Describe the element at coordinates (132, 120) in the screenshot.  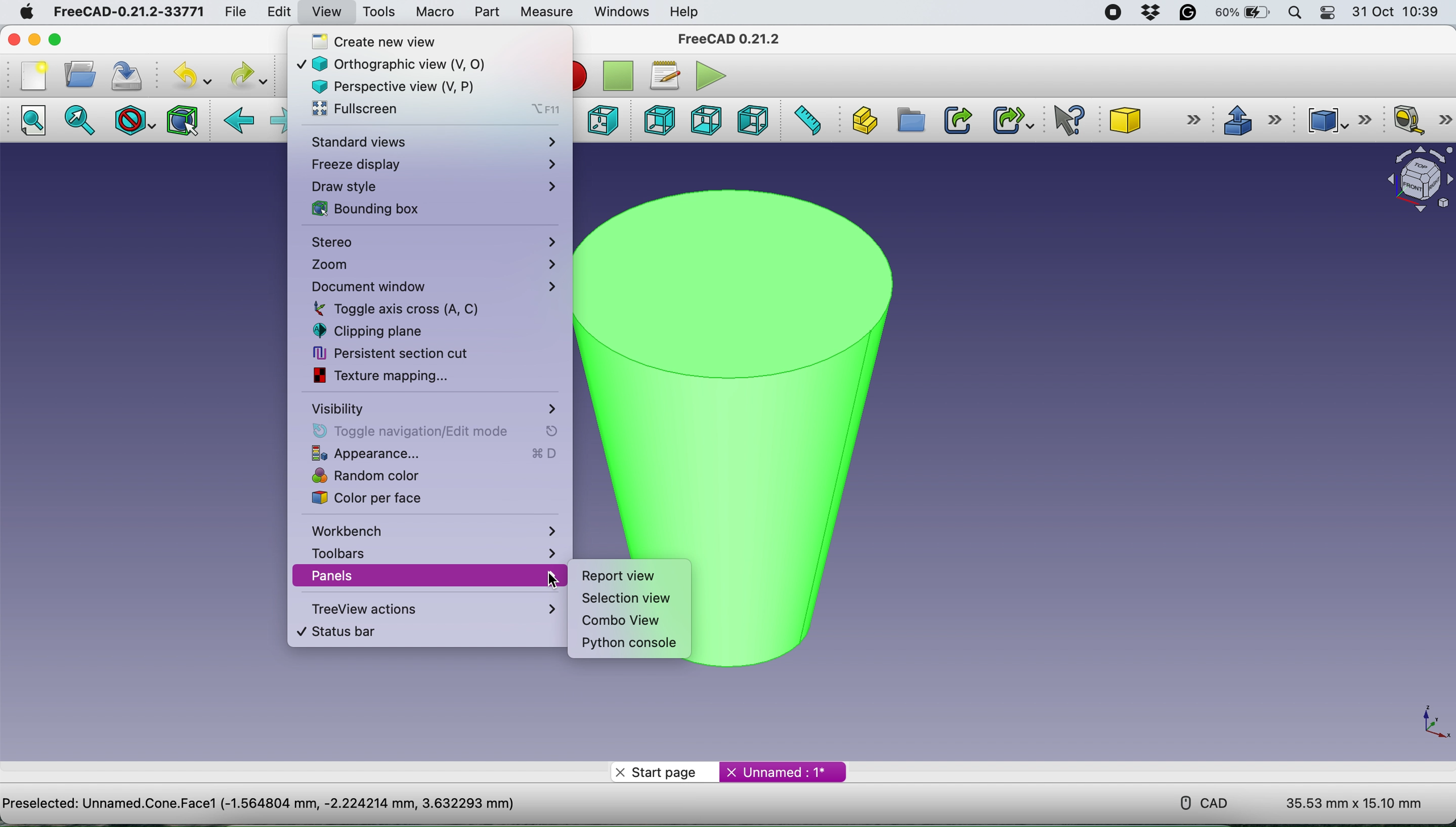
I see `draw style` at that location.